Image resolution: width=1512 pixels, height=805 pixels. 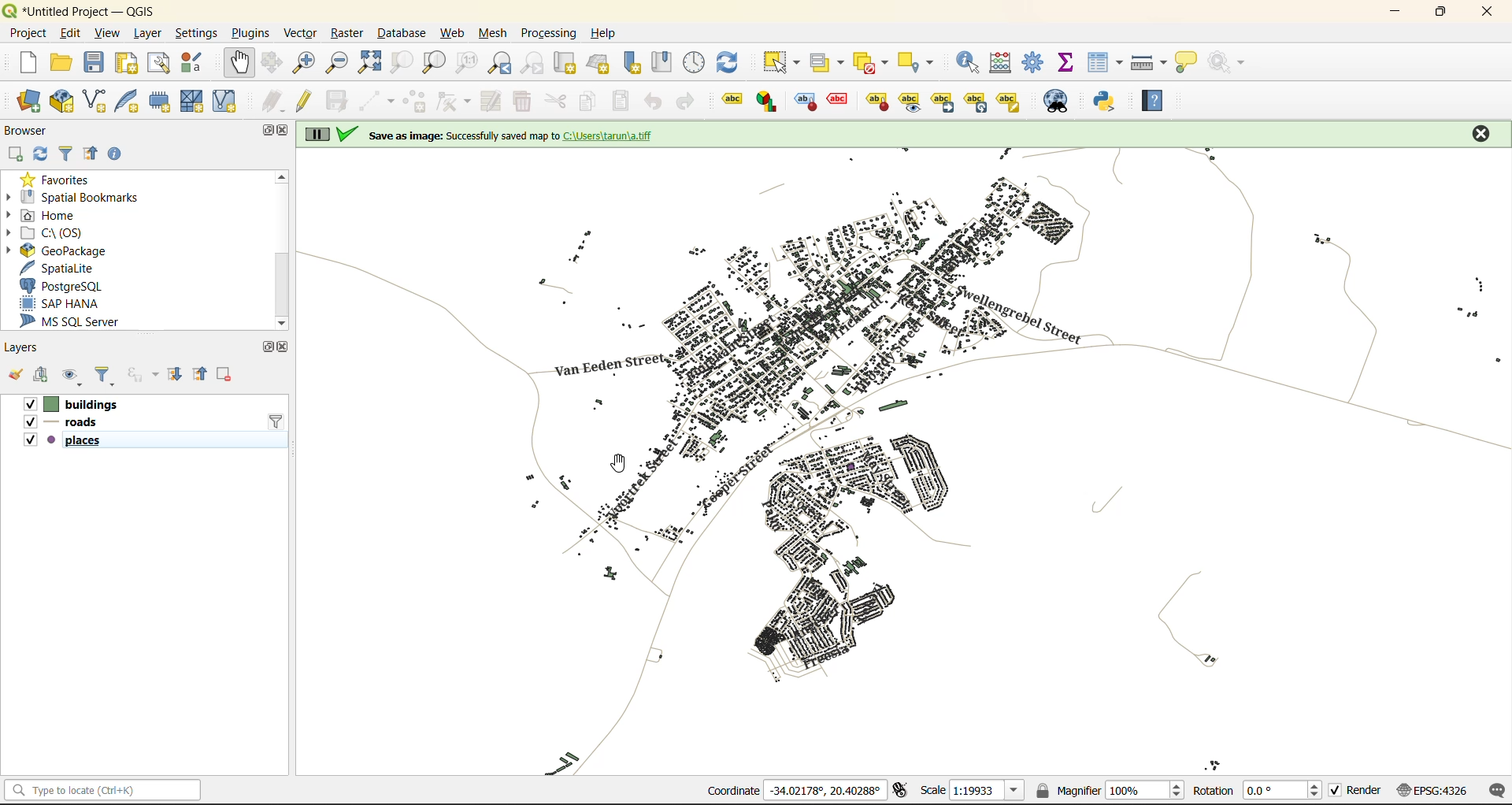 I want to click on new virtual layer, so click(x=225, y=100).